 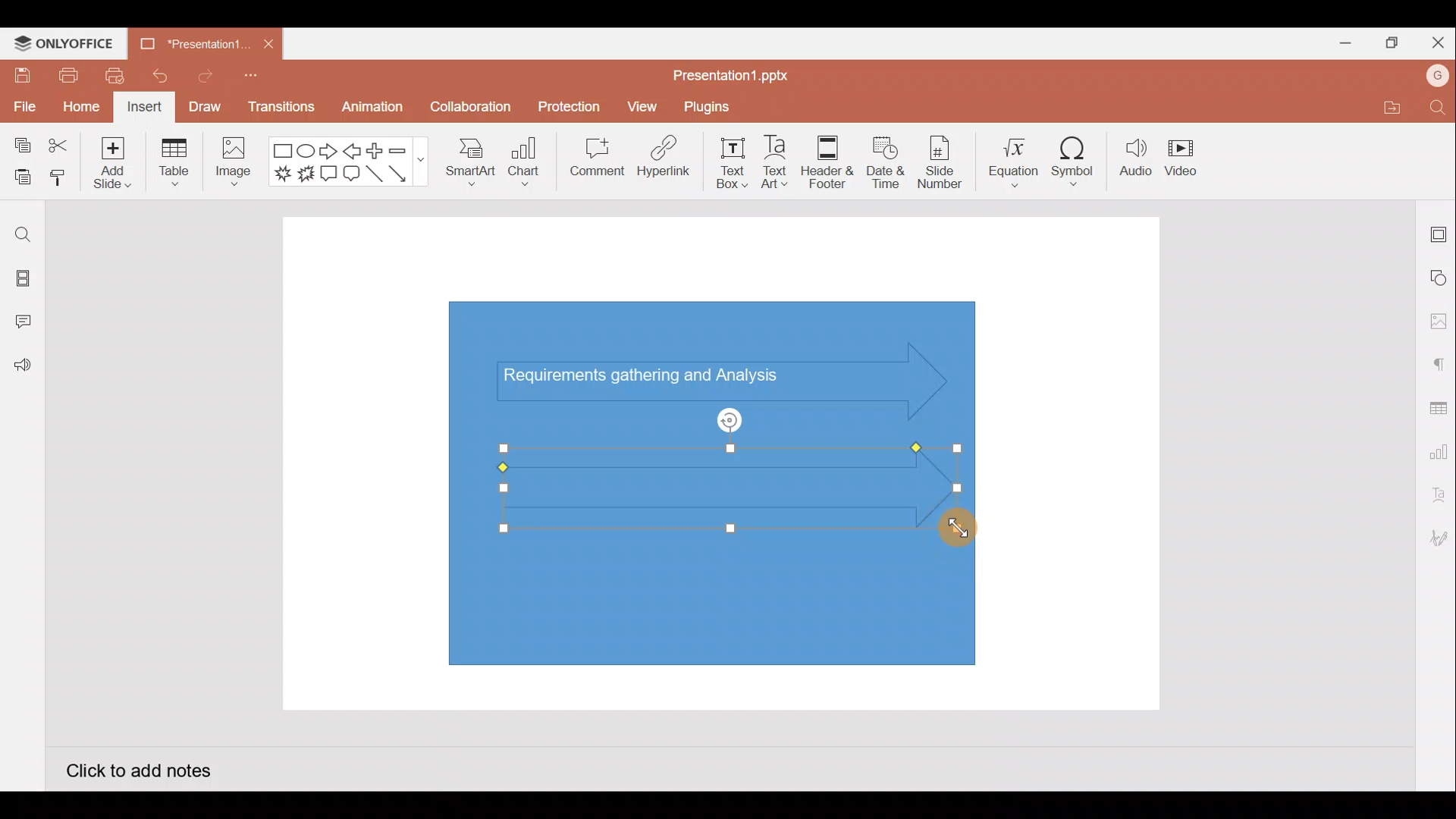 I want to click on Video, so click(x=1183, y=155).